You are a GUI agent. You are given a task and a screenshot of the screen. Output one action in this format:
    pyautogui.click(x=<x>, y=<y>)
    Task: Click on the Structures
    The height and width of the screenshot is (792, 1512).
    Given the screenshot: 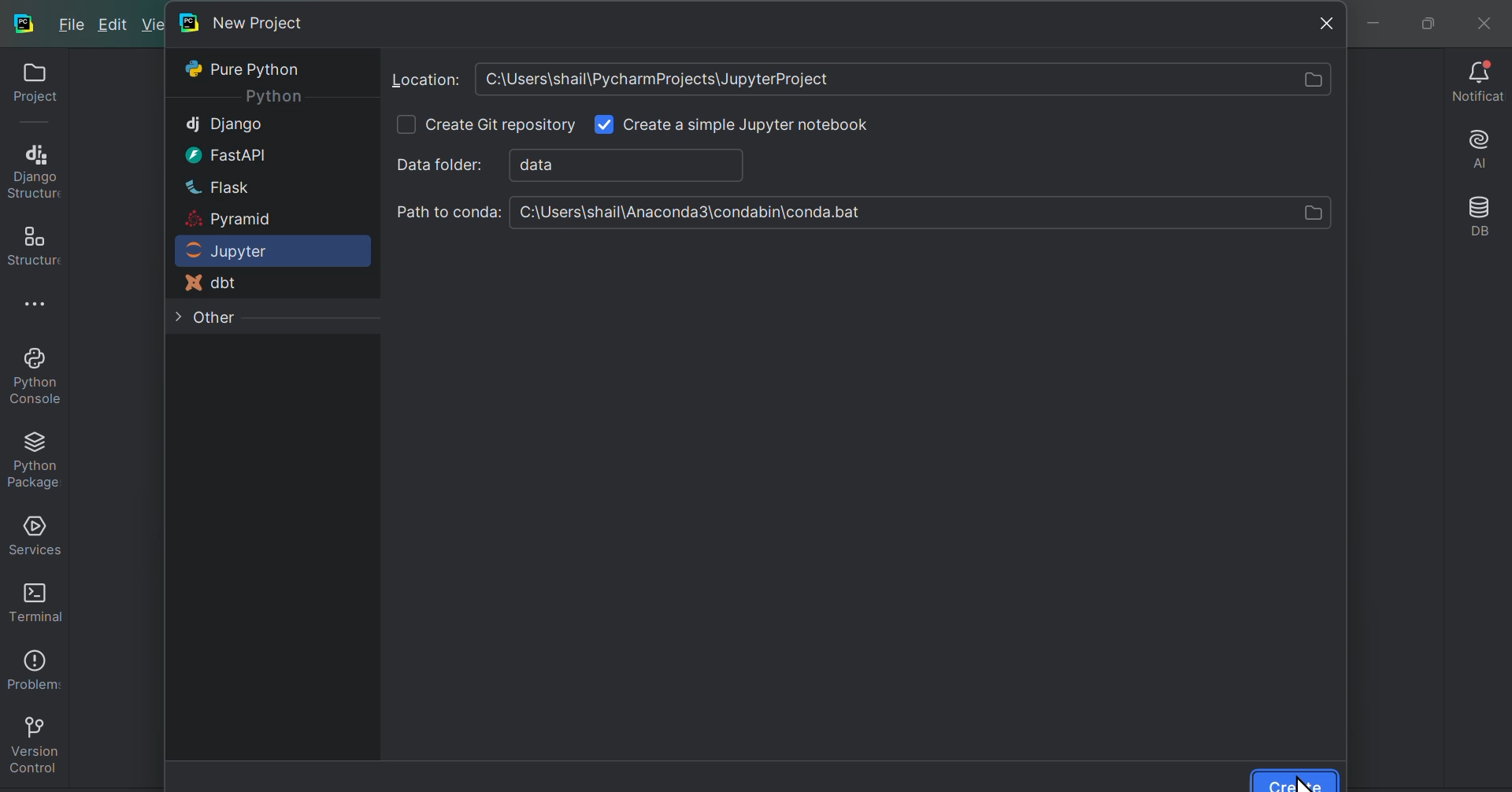 What is the action you would take?
    pyautogui.click(x=32, y=241)
    